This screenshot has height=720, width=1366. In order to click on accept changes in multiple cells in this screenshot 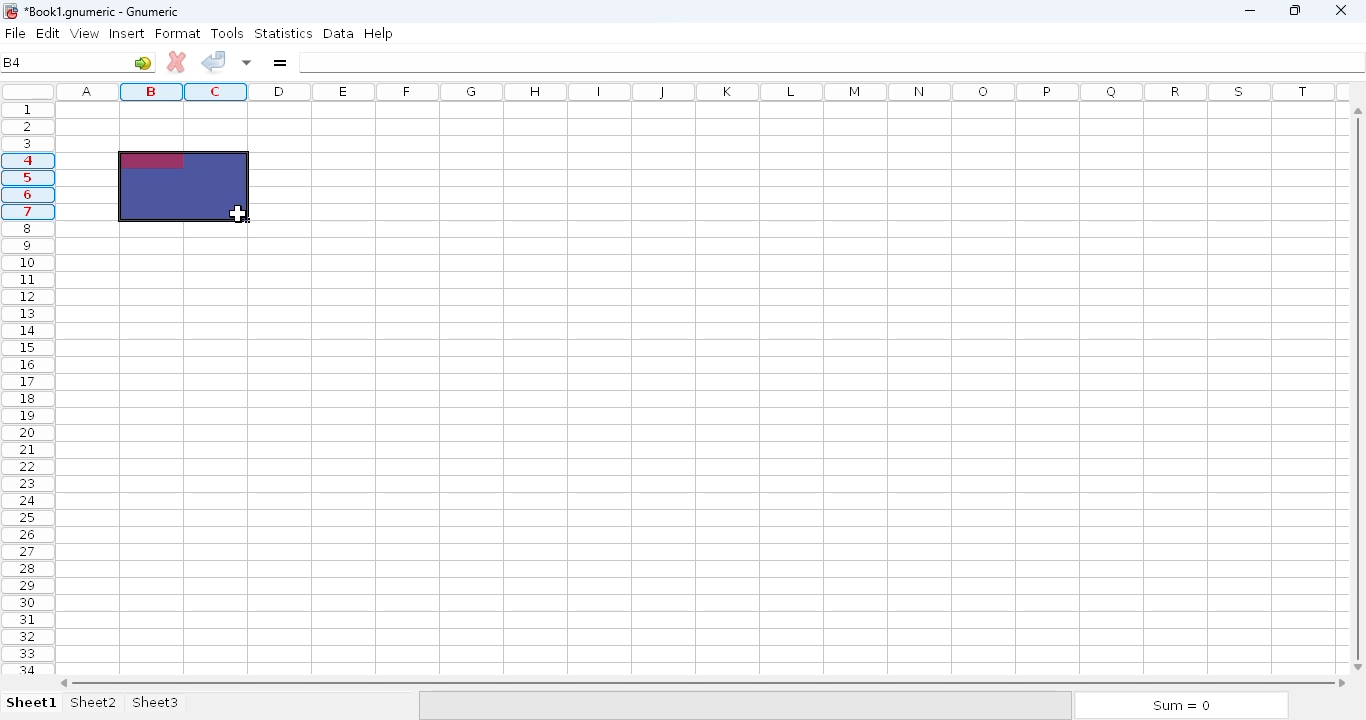, I will do `click(247, 62)`.